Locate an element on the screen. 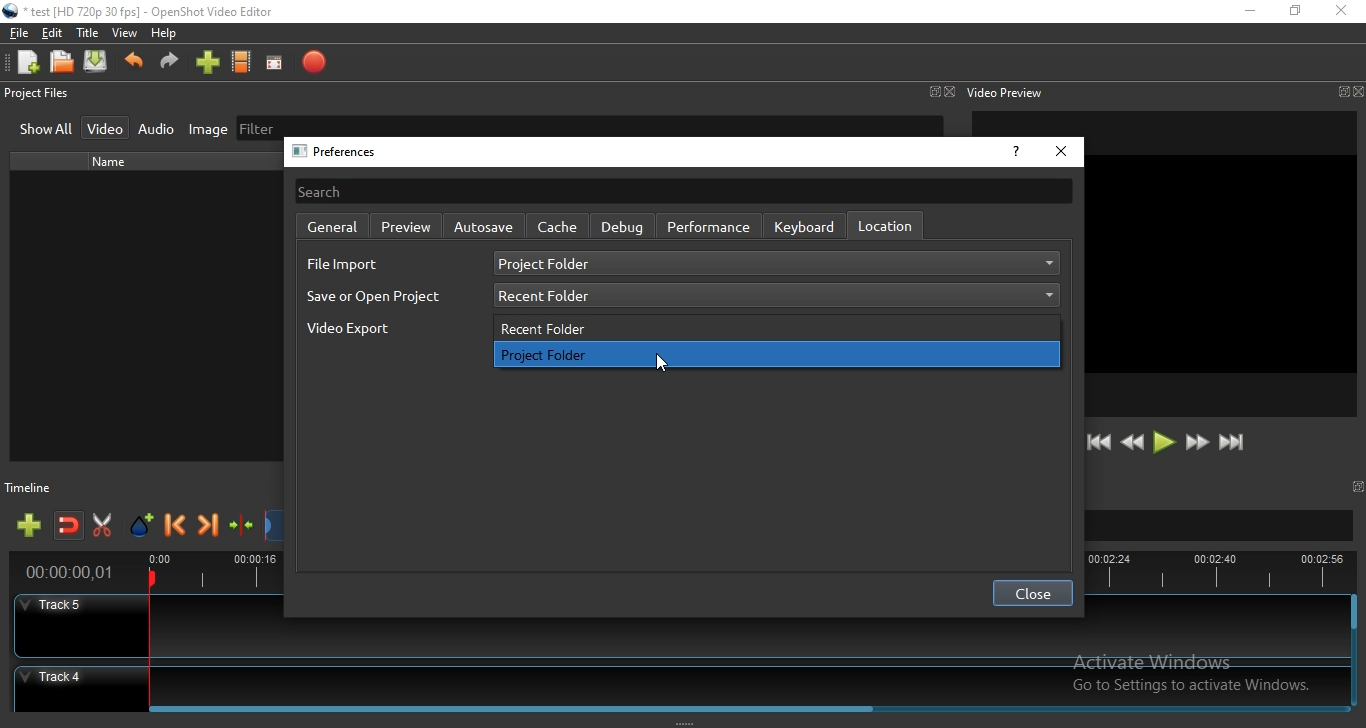 The width and height of the screenshot is (1366, 728). Project files is located at coordinates (37, 95).